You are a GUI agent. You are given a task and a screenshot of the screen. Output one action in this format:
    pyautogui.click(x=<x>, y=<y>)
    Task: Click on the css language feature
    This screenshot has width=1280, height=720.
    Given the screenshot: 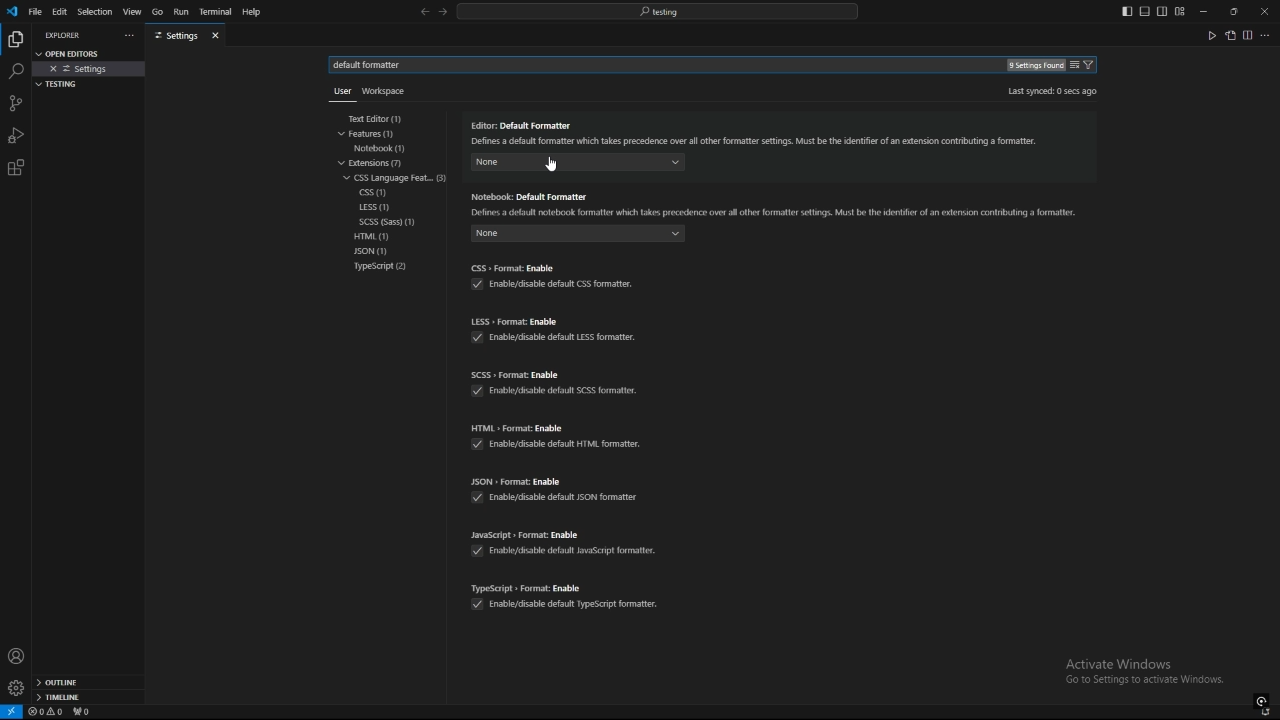 What is the action you would take?
    pyautogui.click(x=398, y=177)
    